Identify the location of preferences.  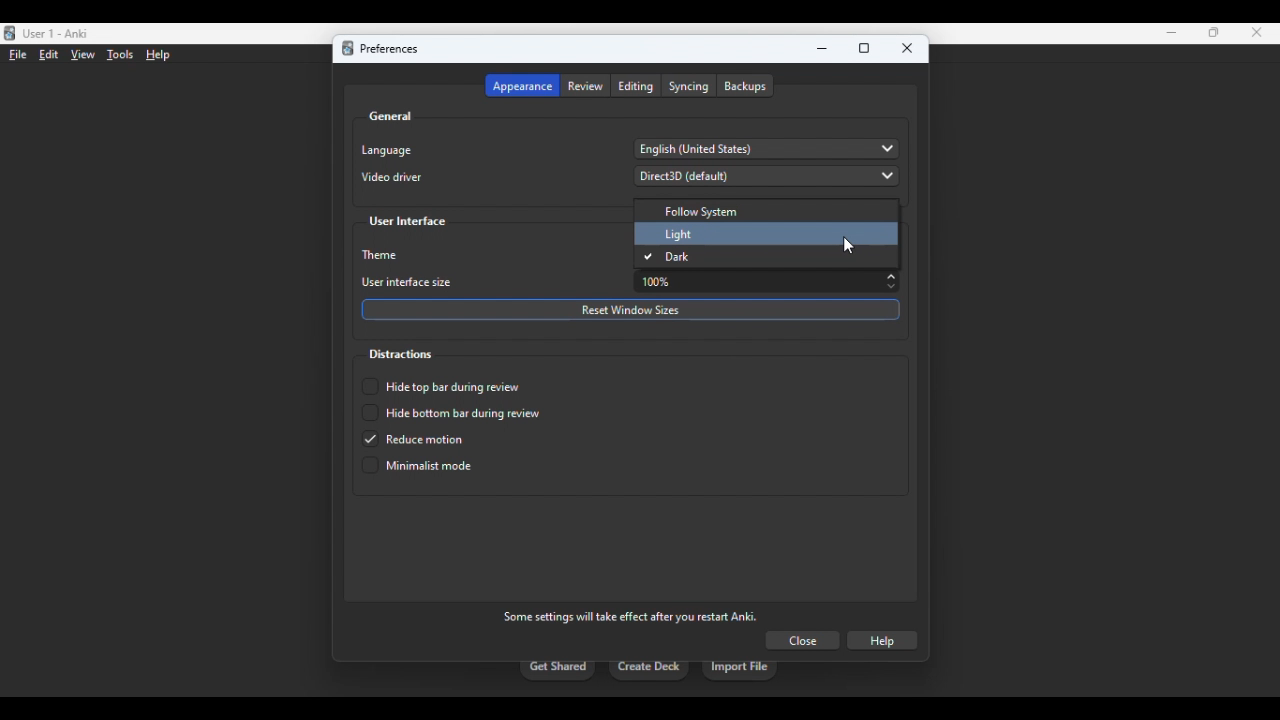
(388, 49).